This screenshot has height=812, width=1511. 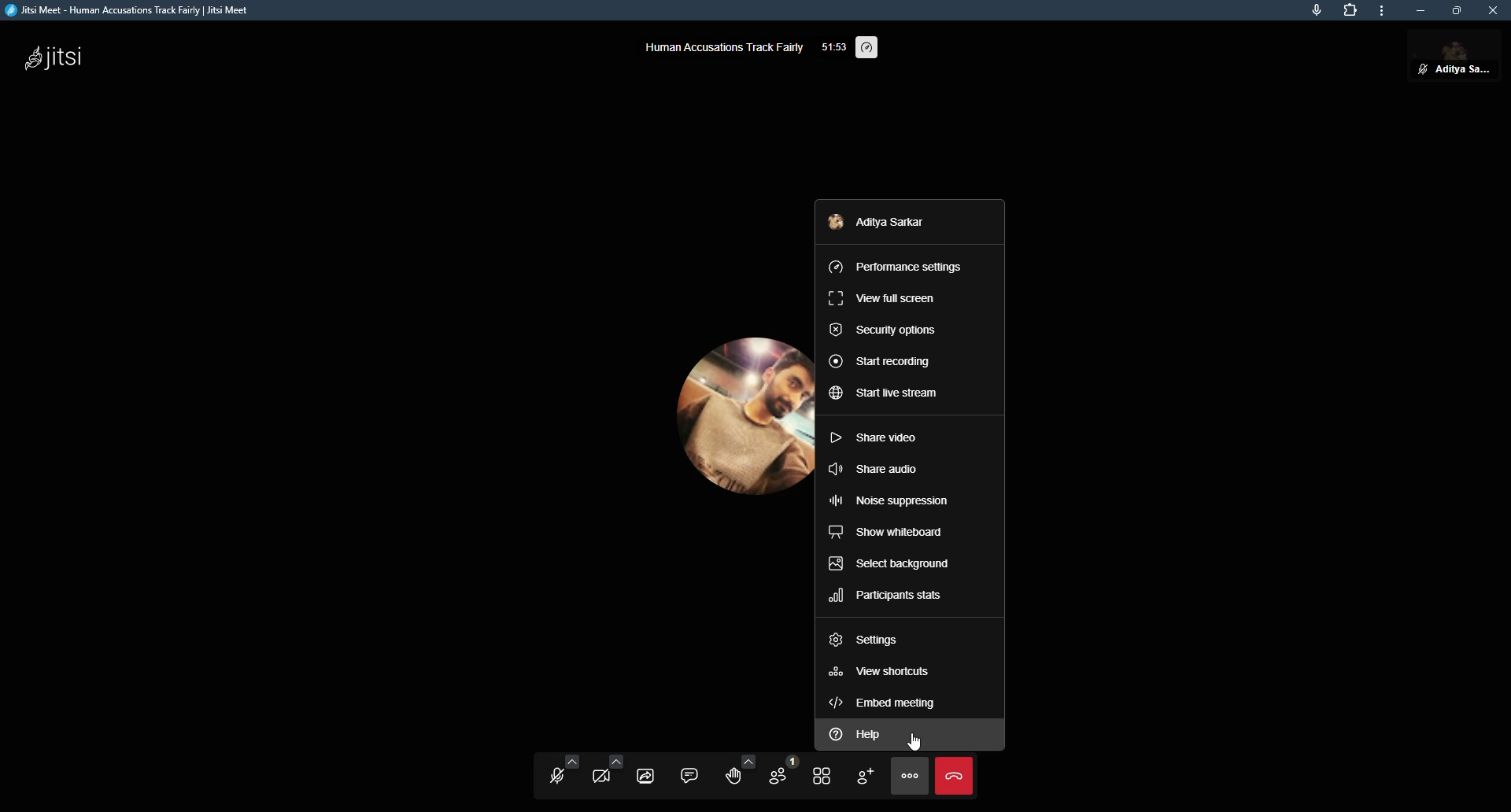 I want to click on participants stats, so click(x=881, y=595).